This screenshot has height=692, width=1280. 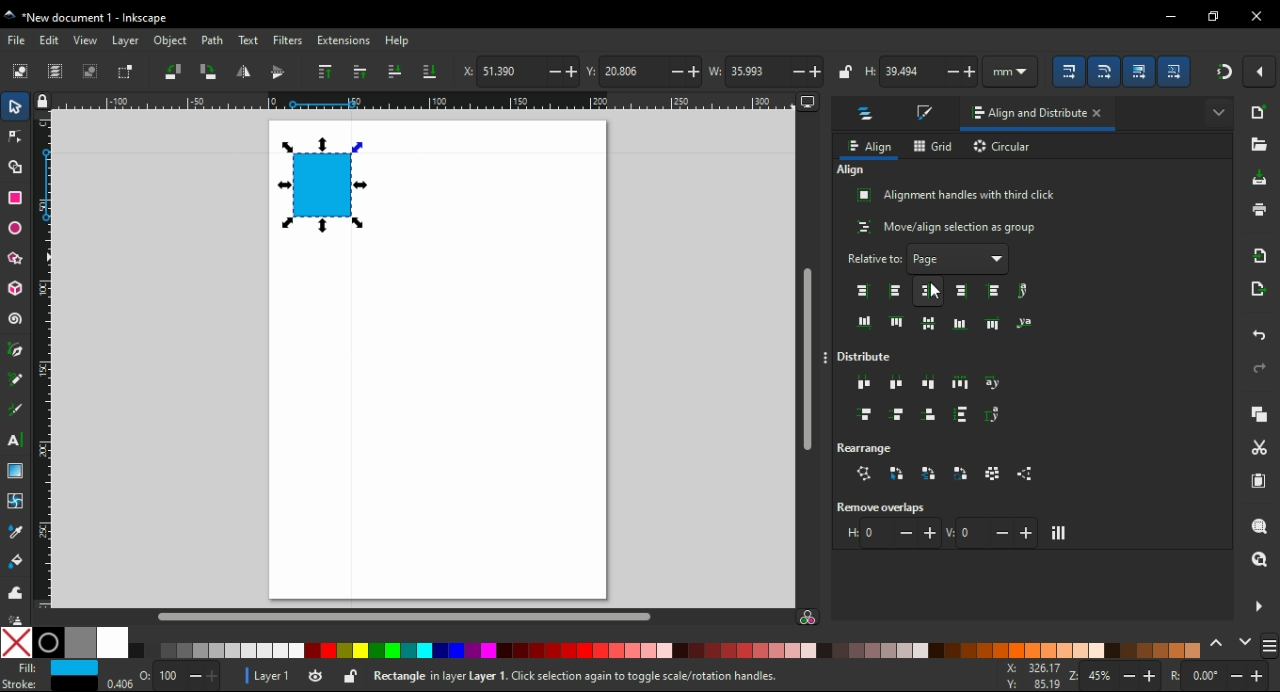 What do you see at coordinates (1028, 474) in the screenshot?
I see `unclump objects` at bounding box center [1028, 474].